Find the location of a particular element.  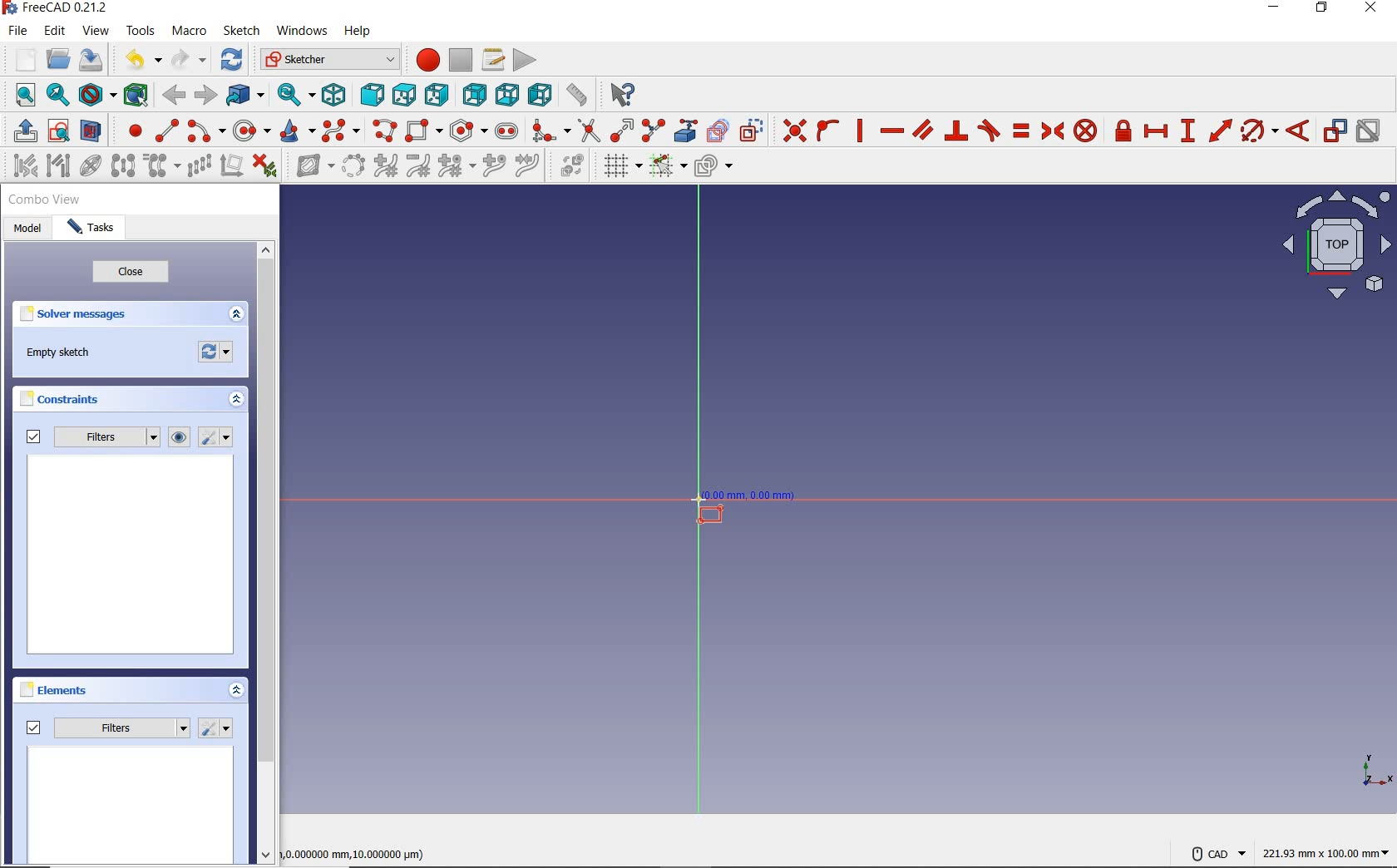

constrain horizontal distance is located at coordinates (1157, 133).